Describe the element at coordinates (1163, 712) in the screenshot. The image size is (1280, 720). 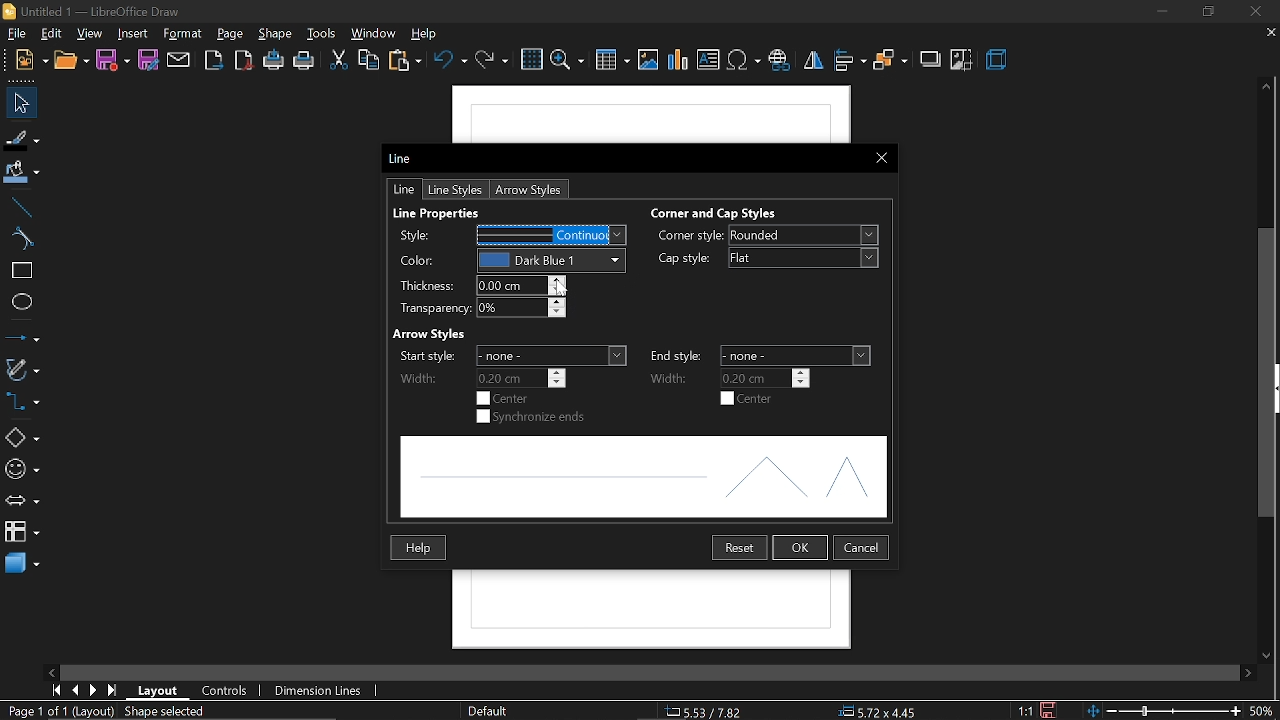
I see `change zoom` at that location.